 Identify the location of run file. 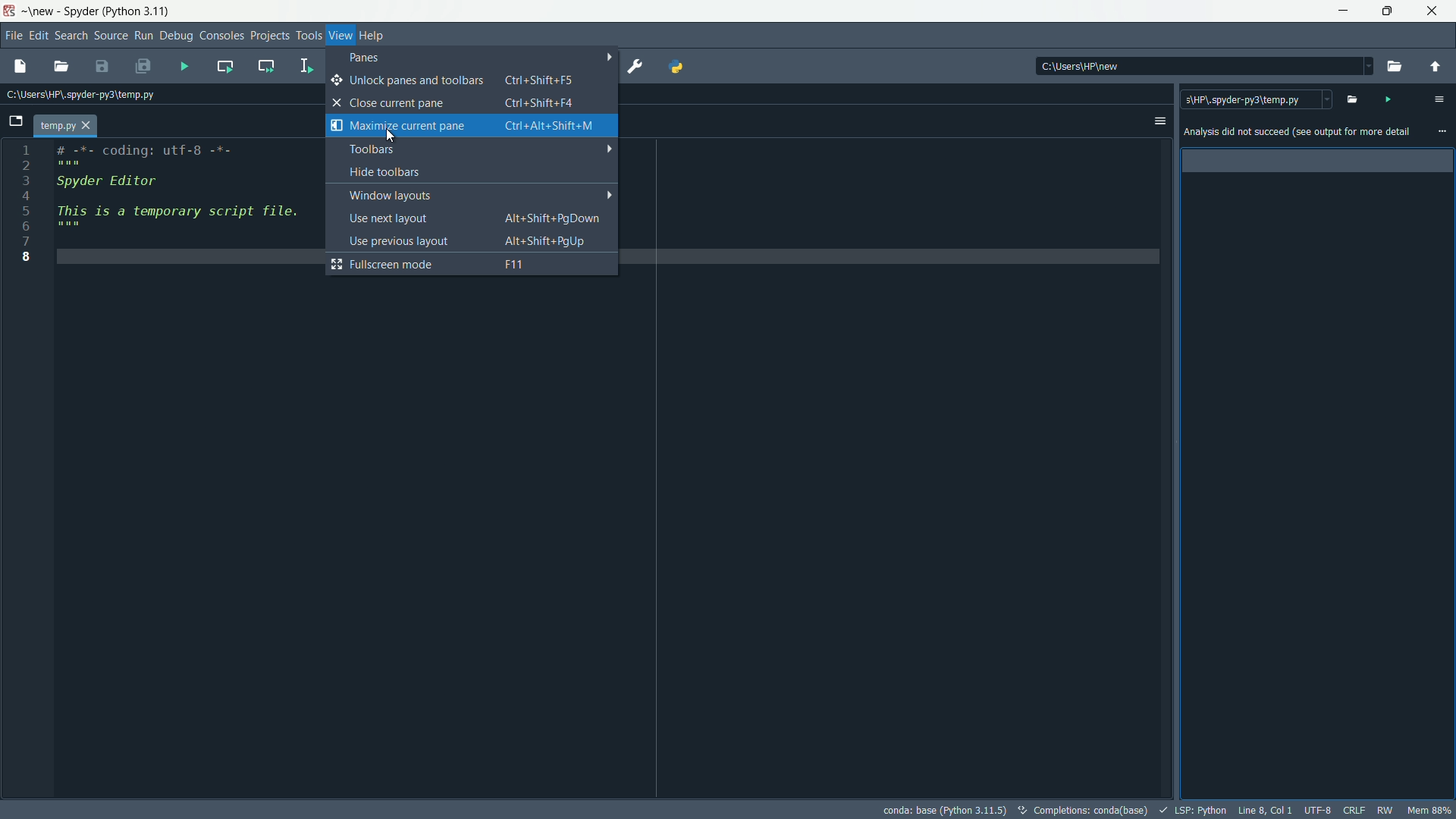
(1392, 99).